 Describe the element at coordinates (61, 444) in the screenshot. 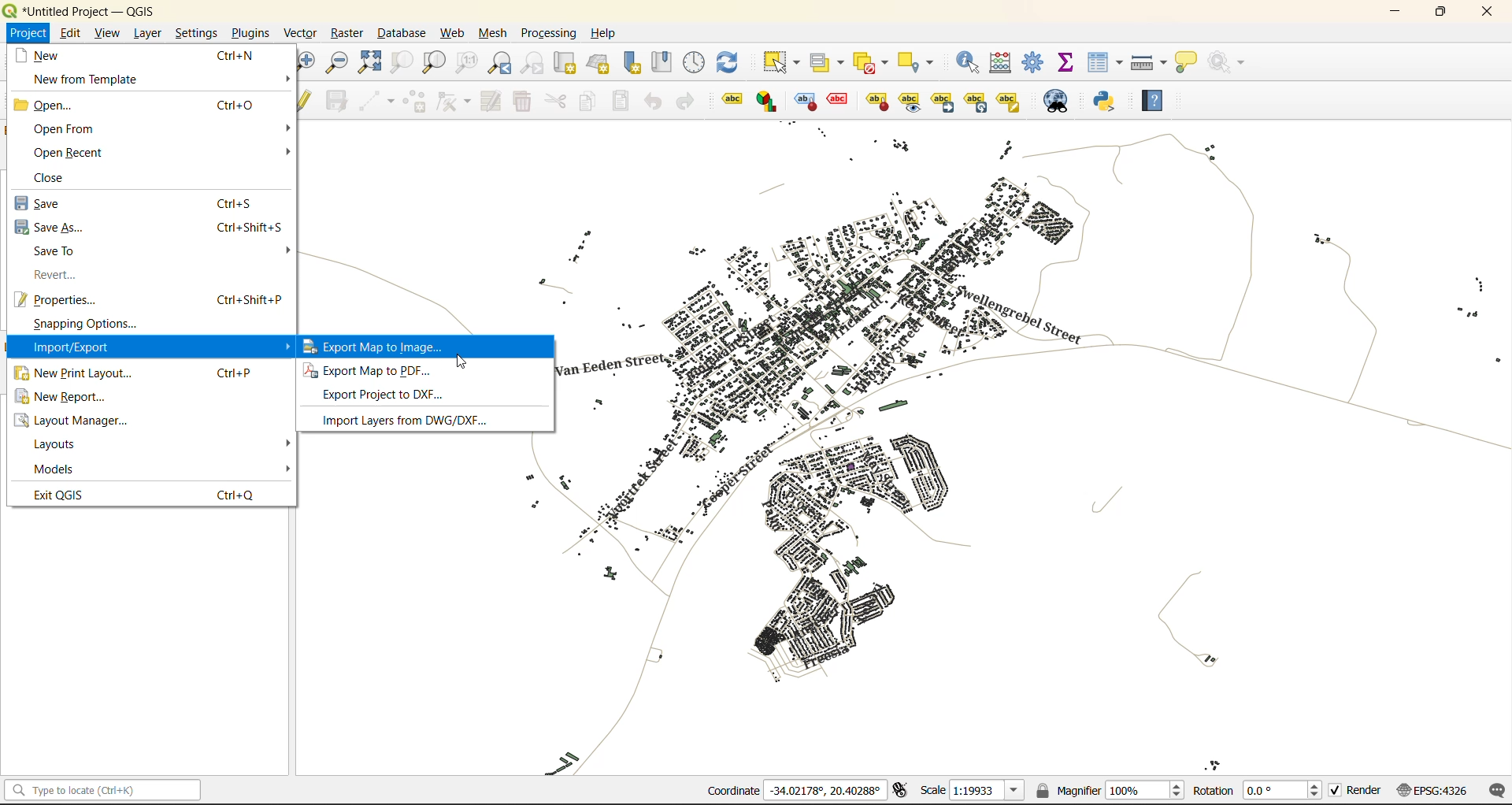

I see `layouts` at that location.